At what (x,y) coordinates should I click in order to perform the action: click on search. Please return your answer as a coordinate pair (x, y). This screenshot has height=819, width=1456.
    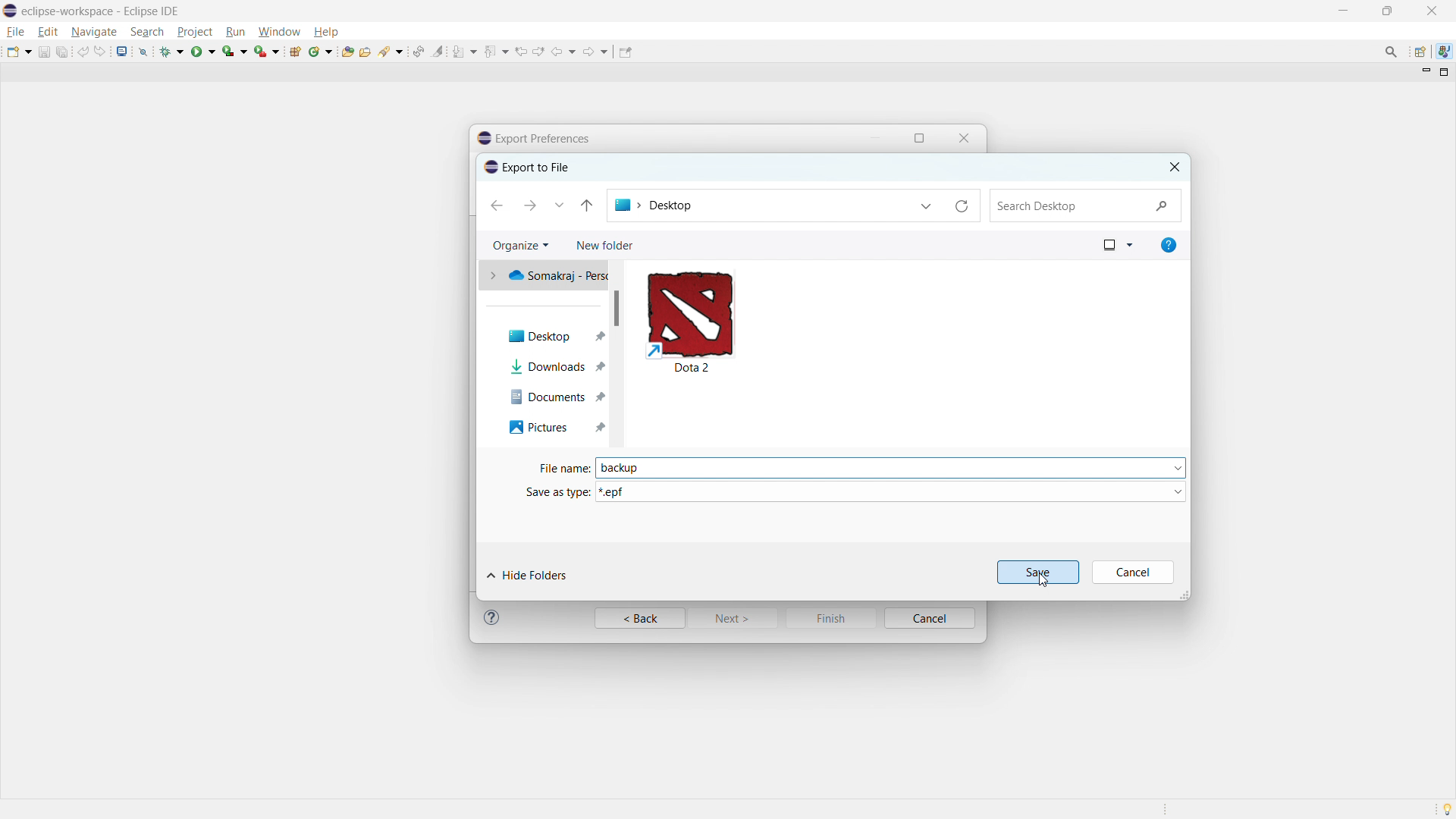
    Looking at the image, I should click on (147, 32).